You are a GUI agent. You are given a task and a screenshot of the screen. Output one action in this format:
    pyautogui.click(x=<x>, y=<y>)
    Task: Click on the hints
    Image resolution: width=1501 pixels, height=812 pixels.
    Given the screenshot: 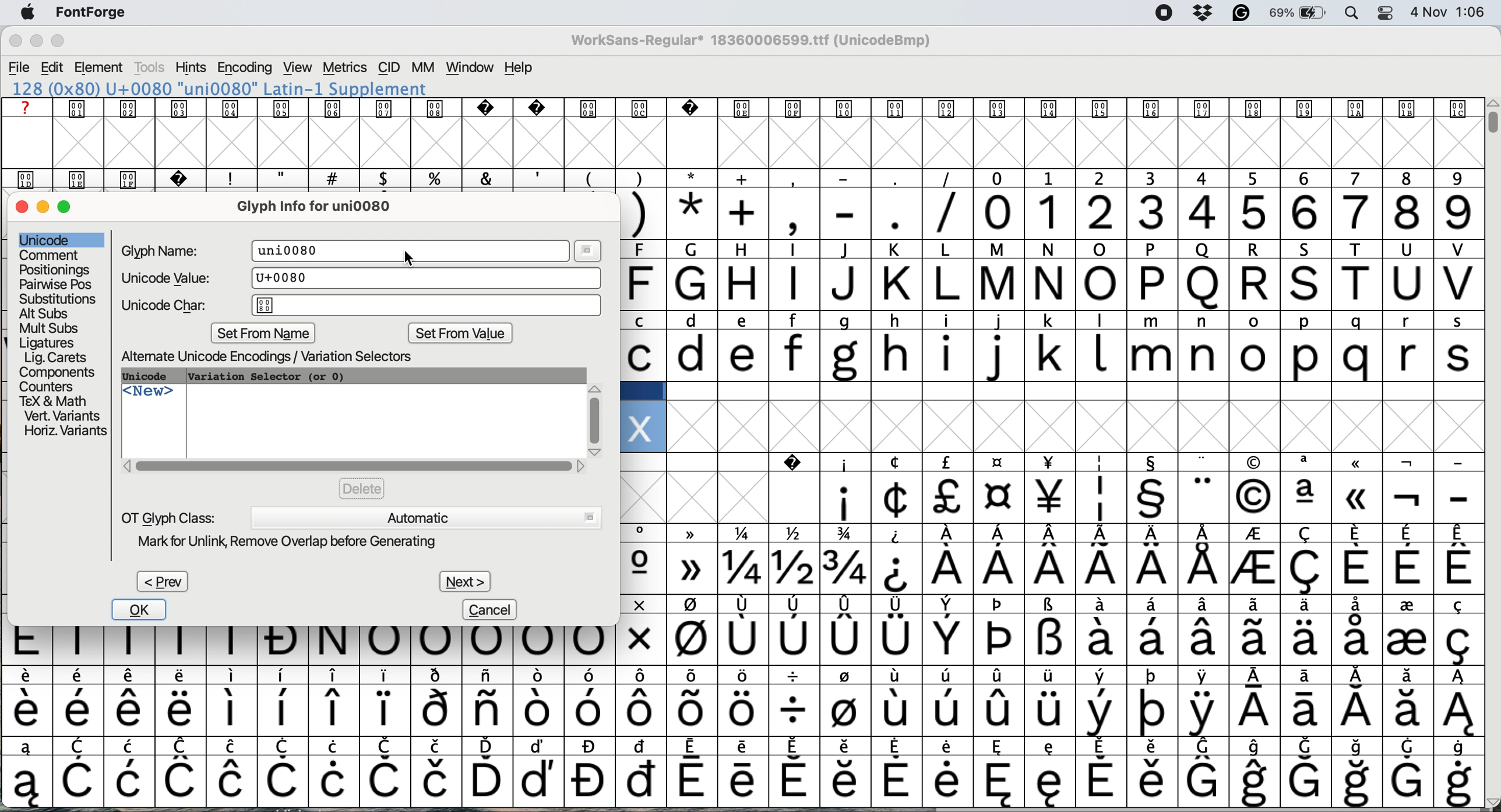 What is the action you would take?
    pyautogui.click(x=191, y=69)
    